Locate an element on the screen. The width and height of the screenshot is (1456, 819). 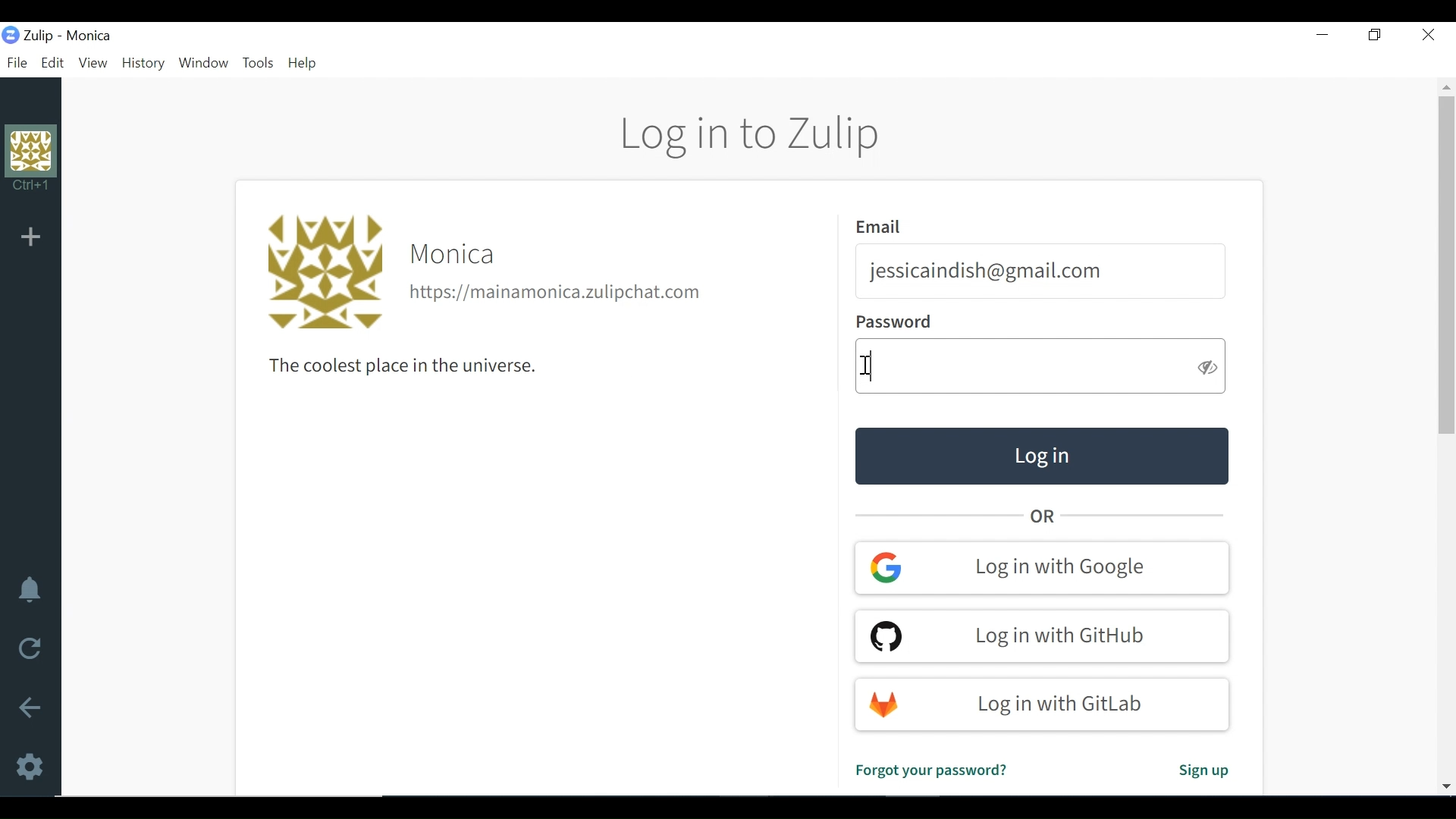
Sign up is located at coordinates (1202, 773).